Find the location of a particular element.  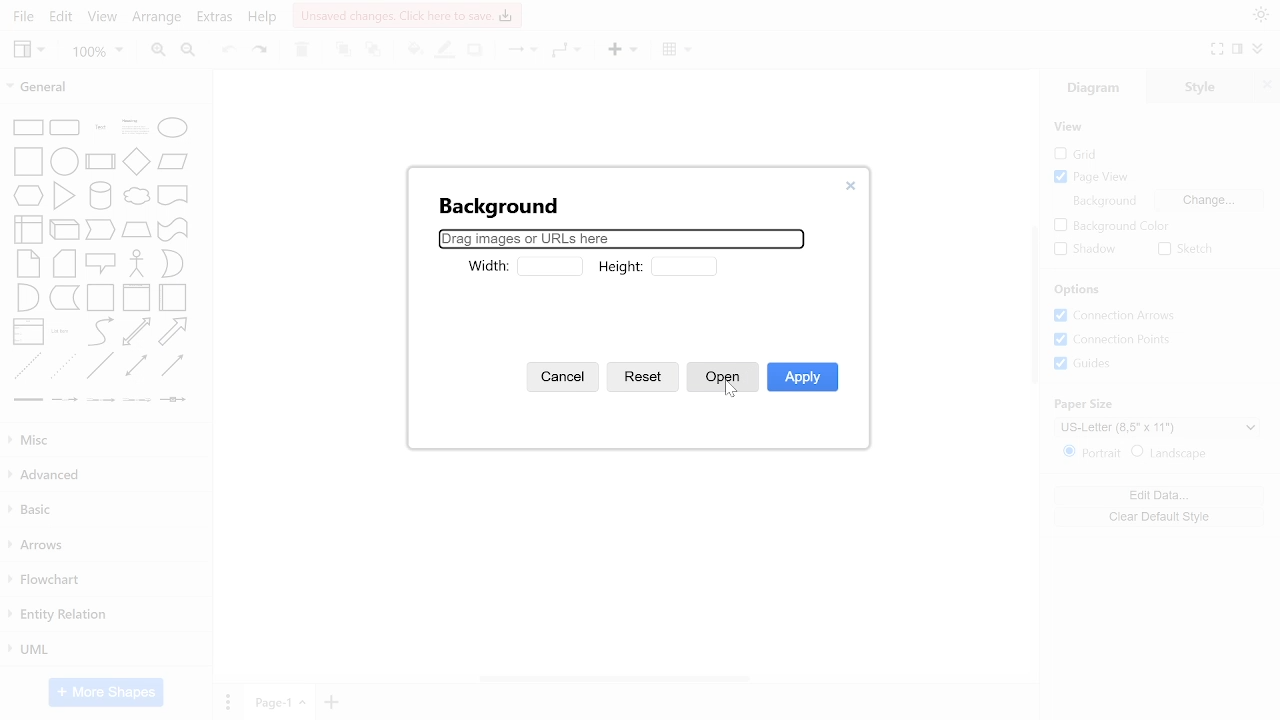

misc is located at coordinates (106, 441).